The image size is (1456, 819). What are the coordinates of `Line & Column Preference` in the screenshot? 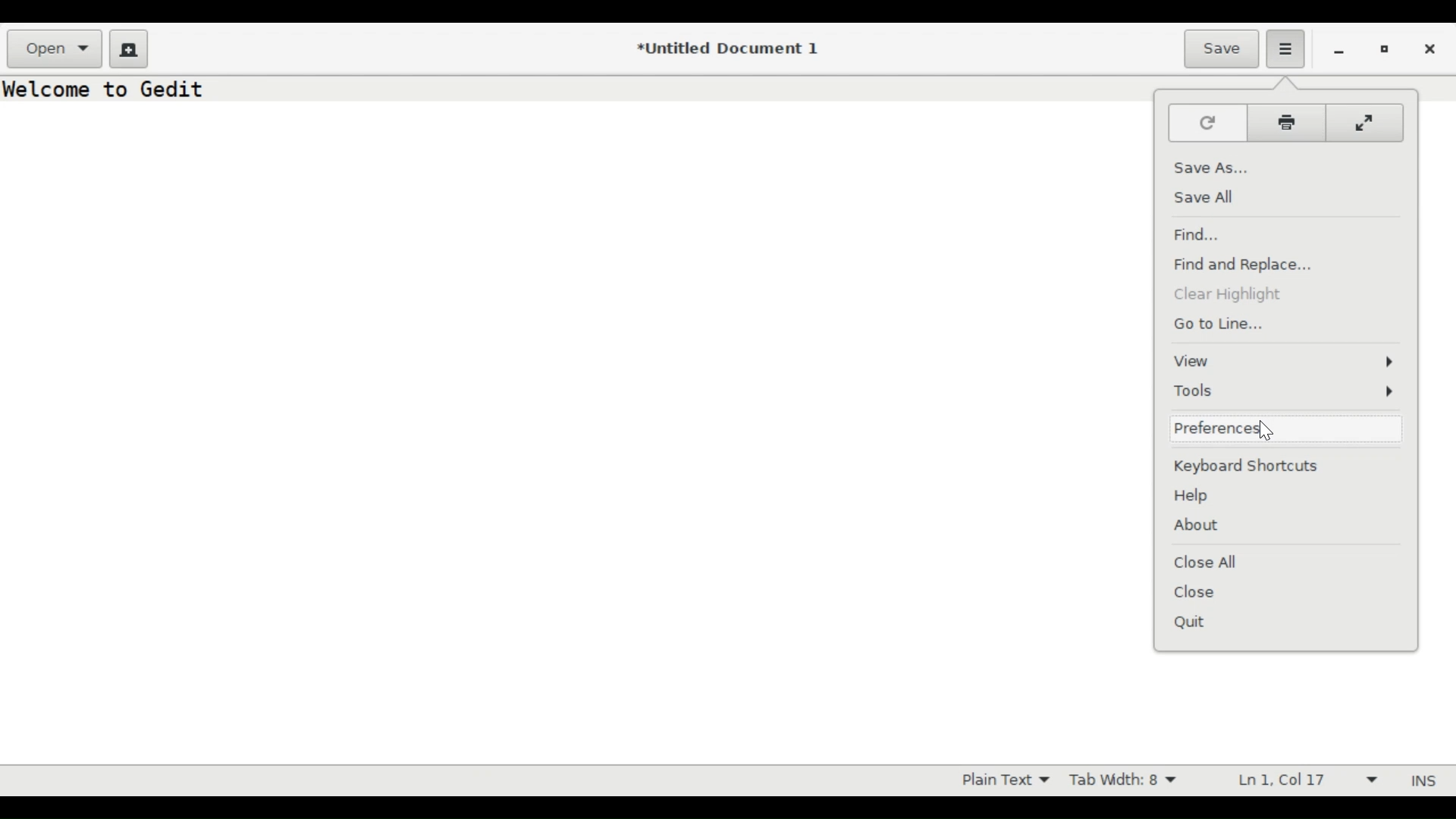 It's located at (1307, 780).